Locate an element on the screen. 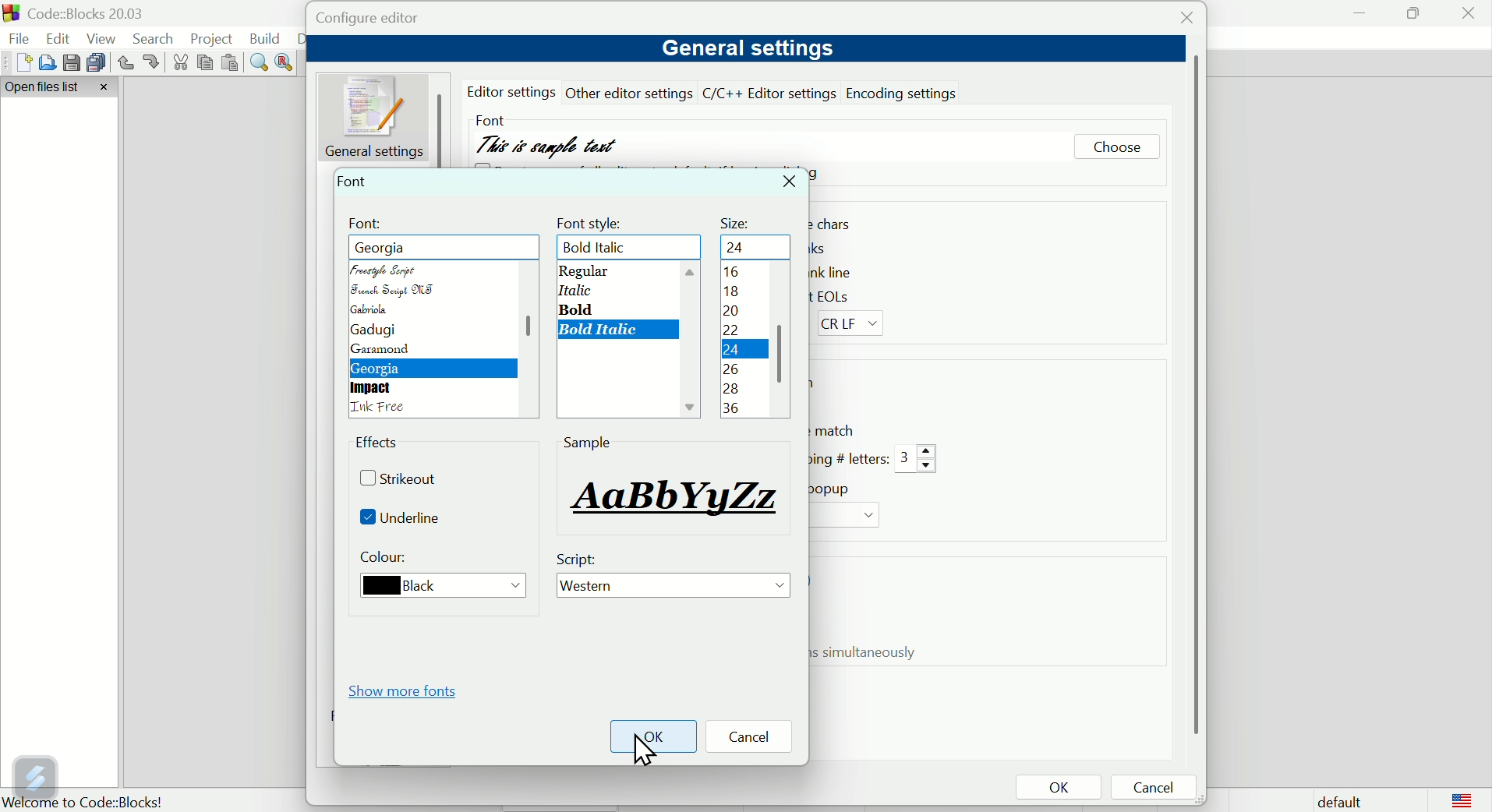 The image size is (1492, 812). OK is located at coordinates (653, 736).